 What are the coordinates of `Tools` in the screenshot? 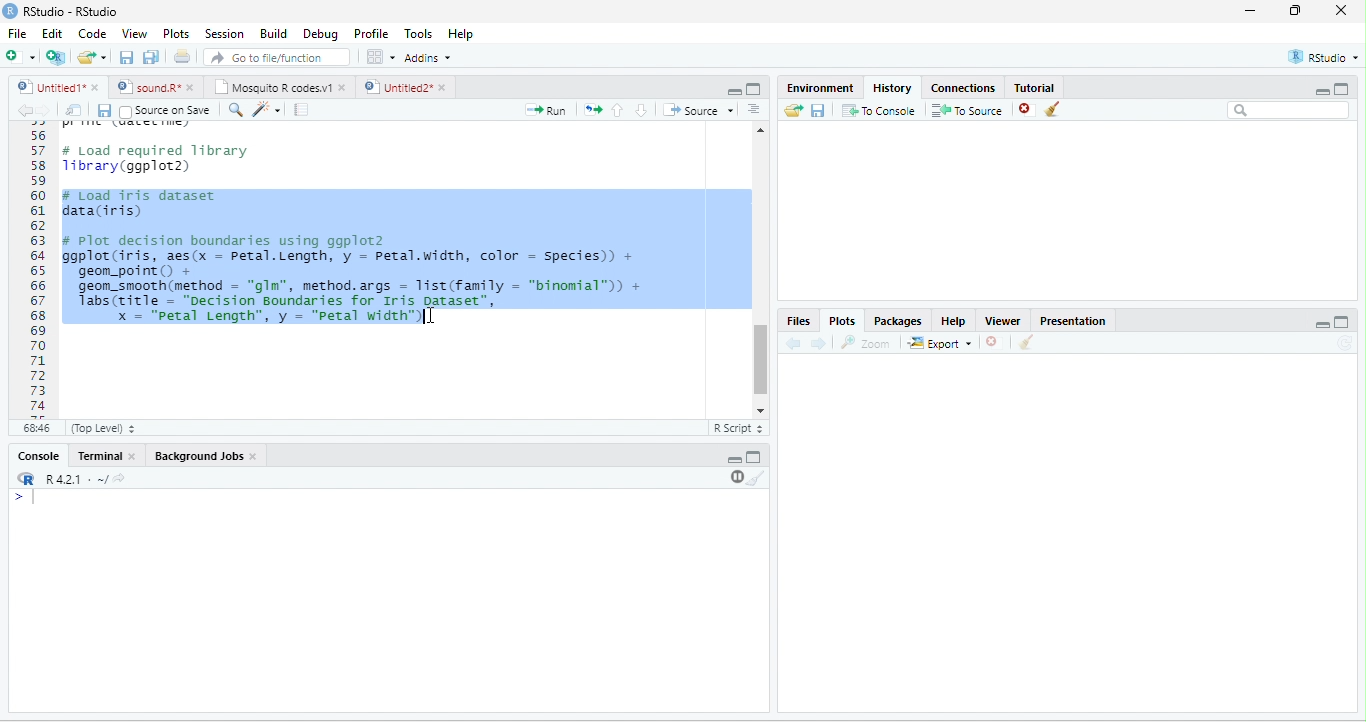 It's located at (420, 34).